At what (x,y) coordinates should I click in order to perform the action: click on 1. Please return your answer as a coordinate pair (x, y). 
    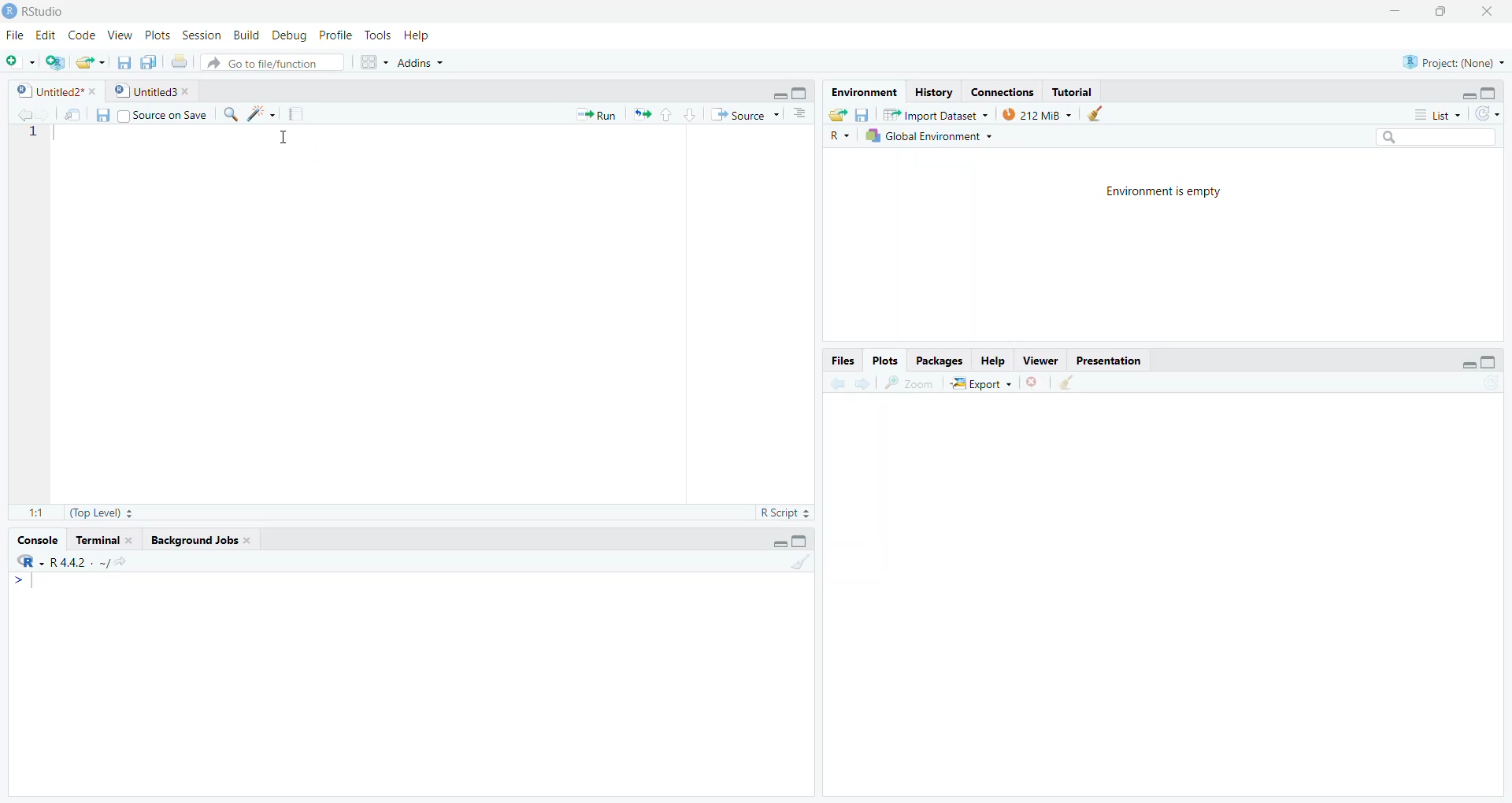
    Looking at the image, I should click on (37, 135).